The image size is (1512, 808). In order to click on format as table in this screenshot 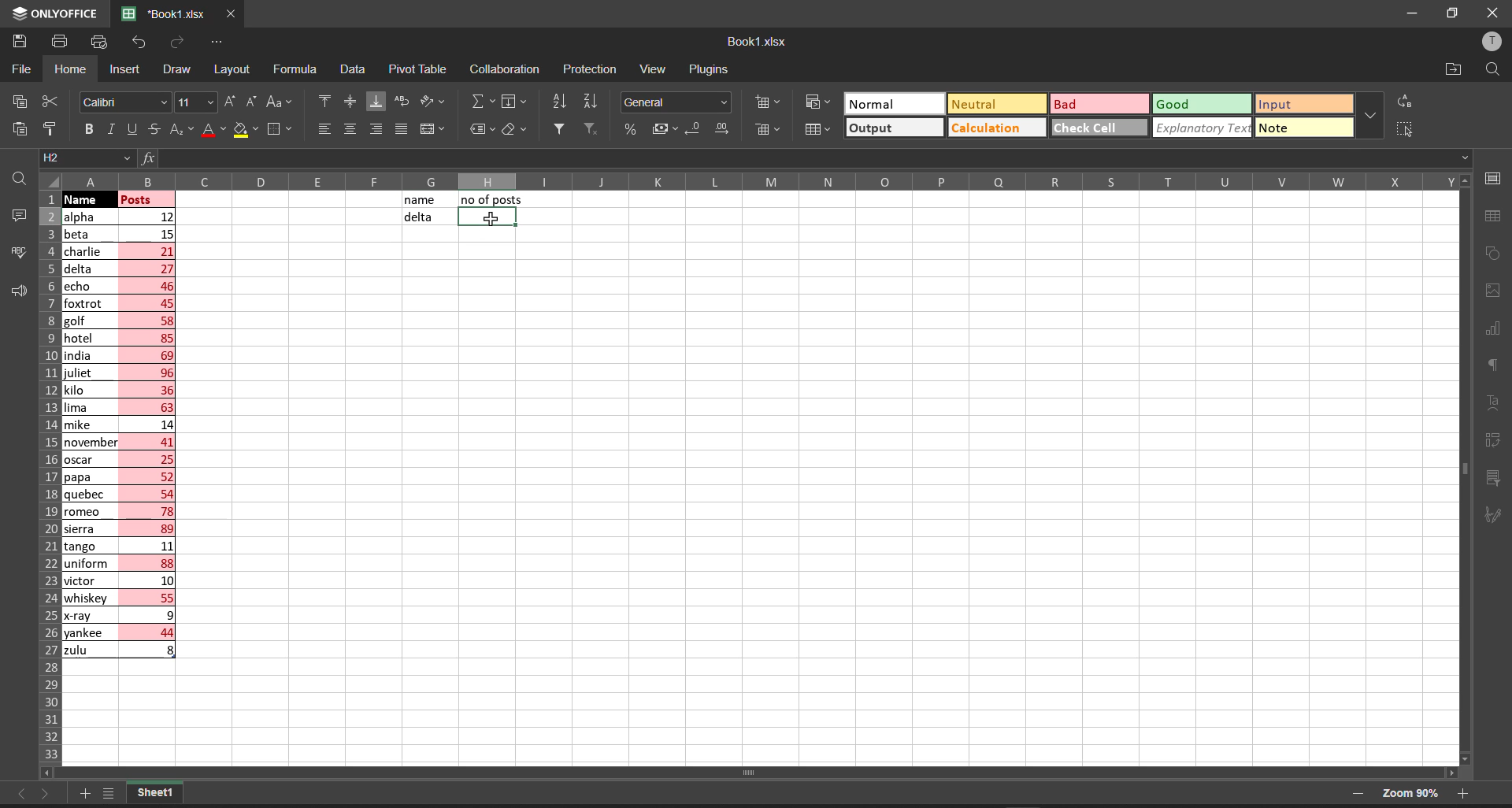, I will do `click(817, 129)`.